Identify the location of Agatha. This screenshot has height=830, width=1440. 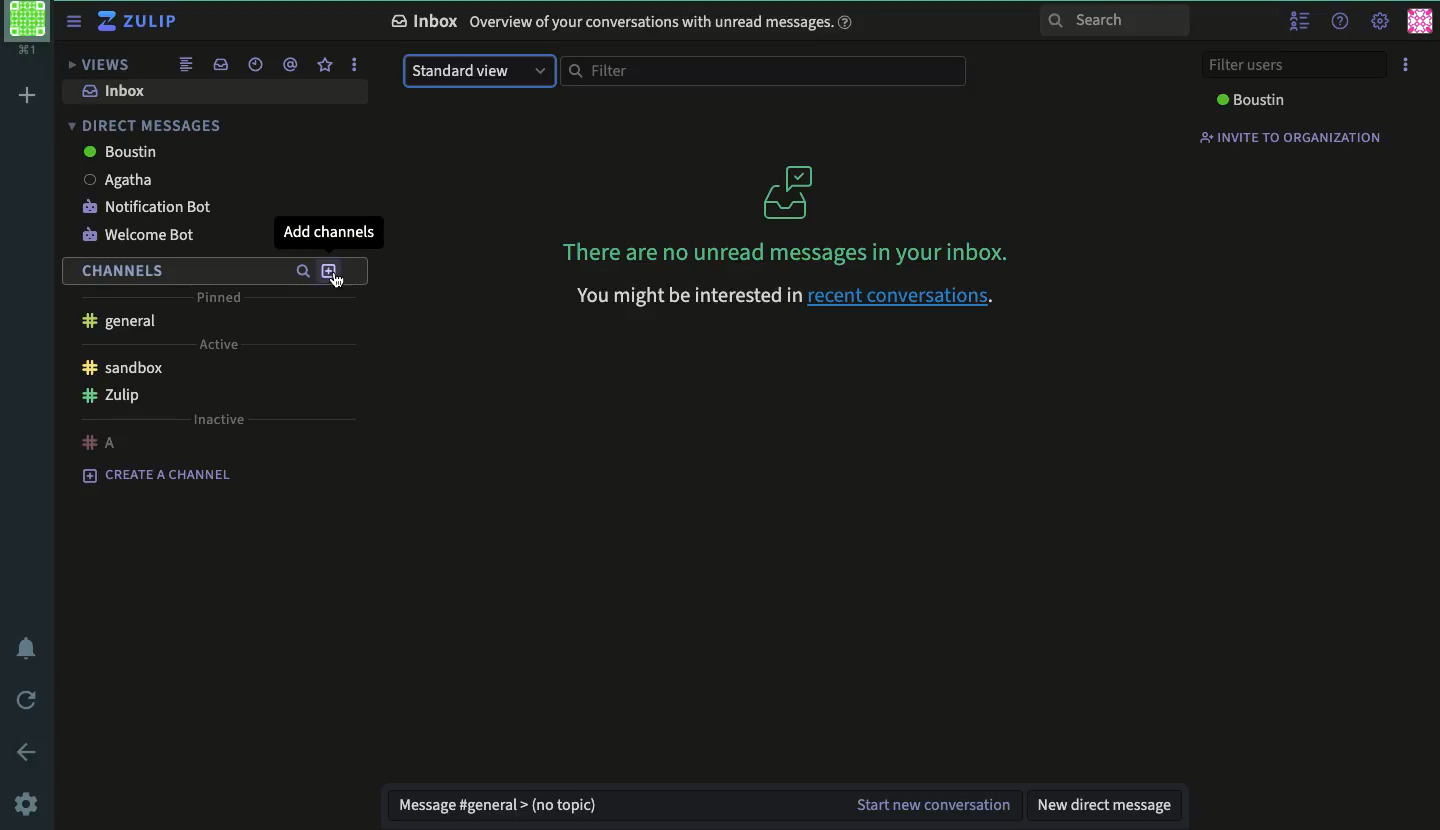
(112, 180).